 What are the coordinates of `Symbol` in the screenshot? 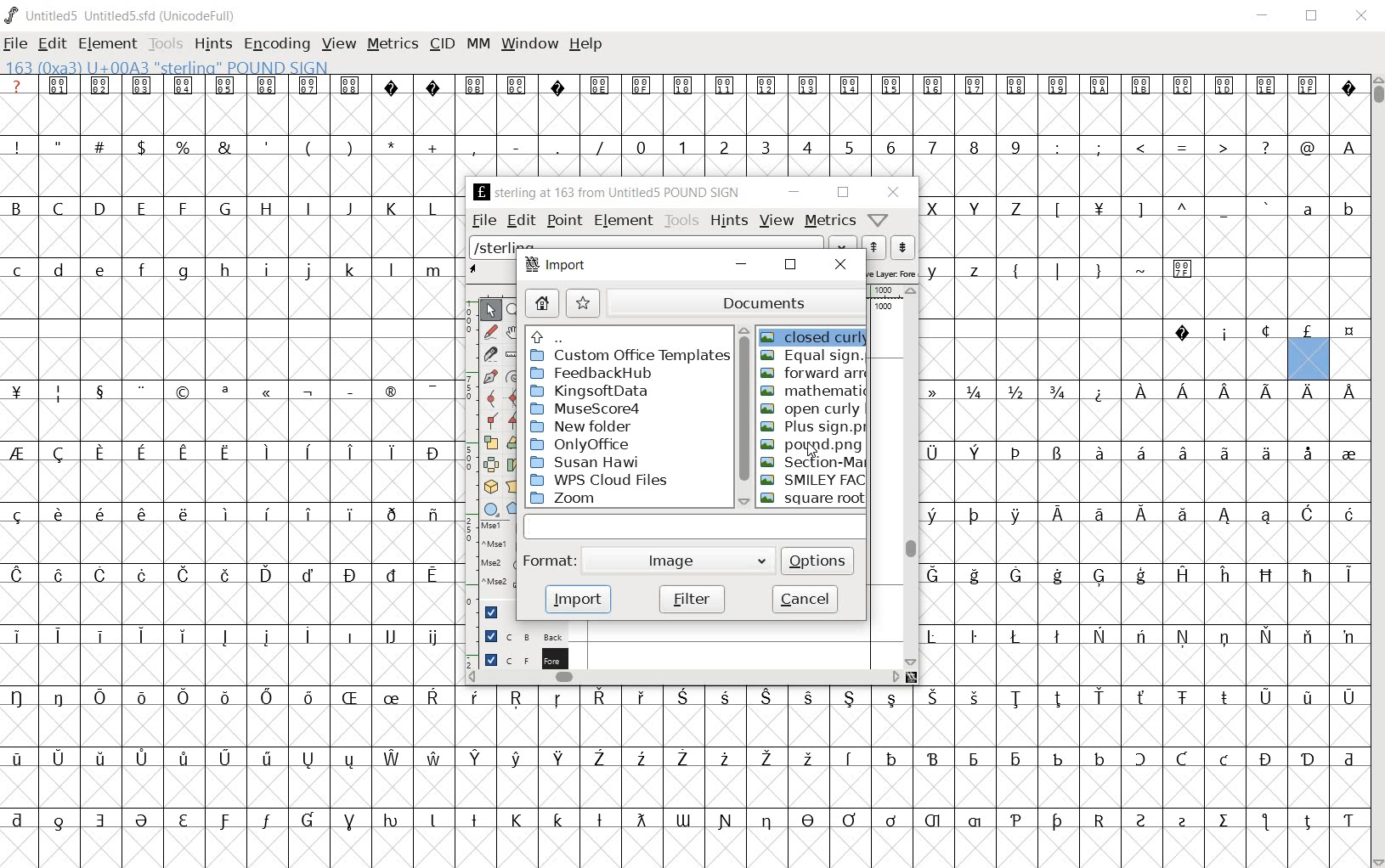 It's located at (390, 453).